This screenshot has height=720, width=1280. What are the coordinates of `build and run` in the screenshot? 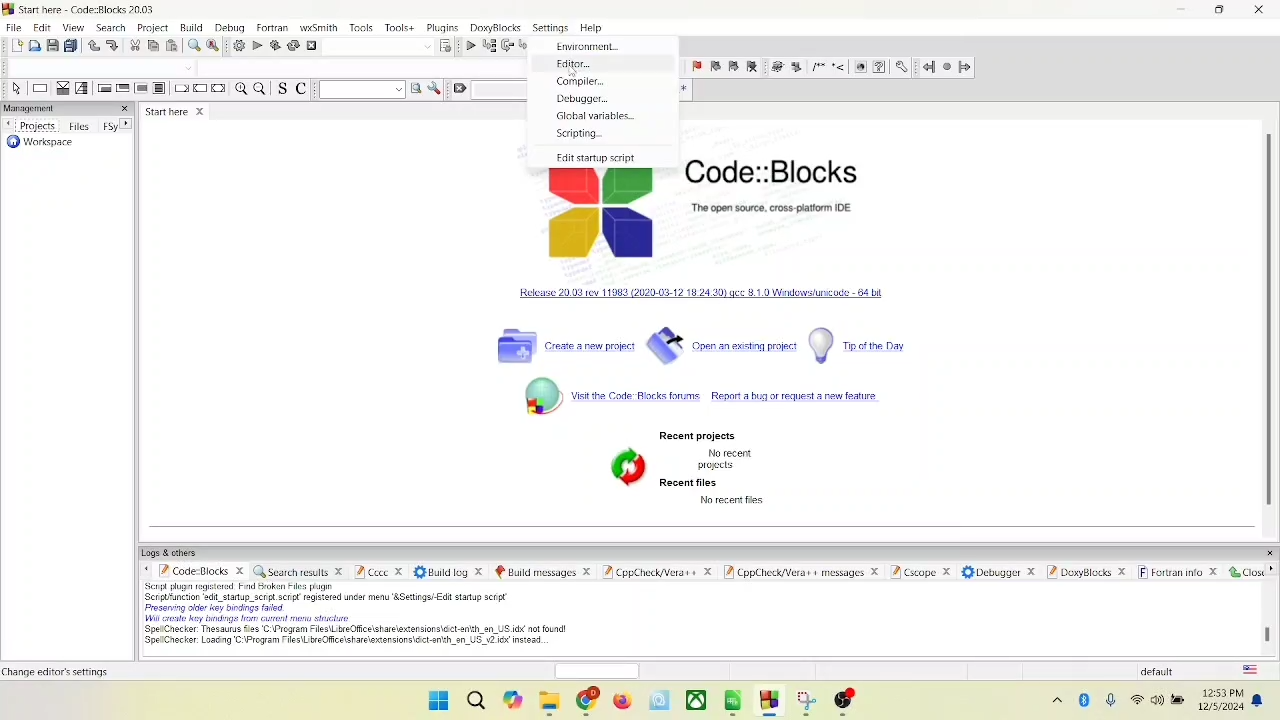 It's located at (275, 45).